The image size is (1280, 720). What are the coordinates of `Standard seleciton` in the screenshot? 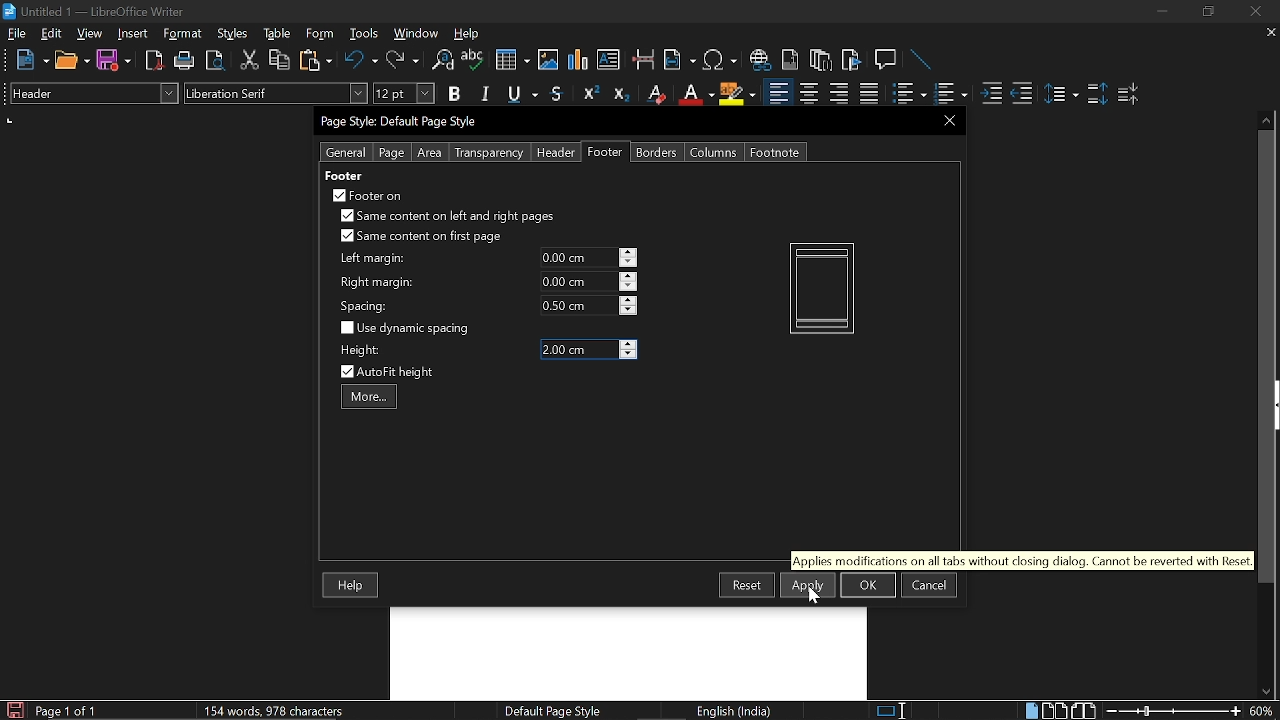 It's located at (895, 711).